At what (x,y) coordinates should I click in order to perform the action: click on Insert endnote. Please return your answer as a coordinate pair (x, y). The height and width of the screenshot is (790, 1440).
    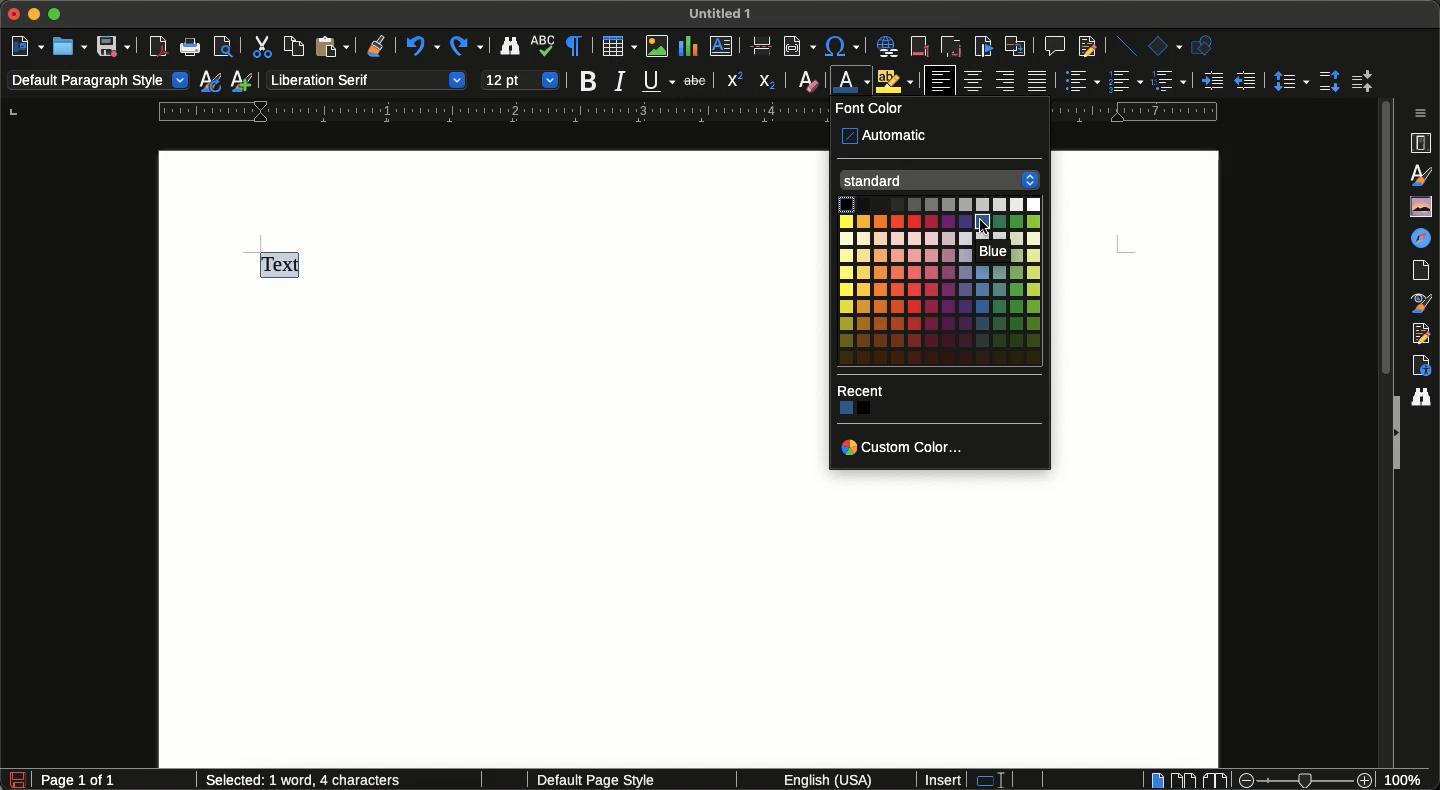
    Looking at the image, I should click on (949, 45).